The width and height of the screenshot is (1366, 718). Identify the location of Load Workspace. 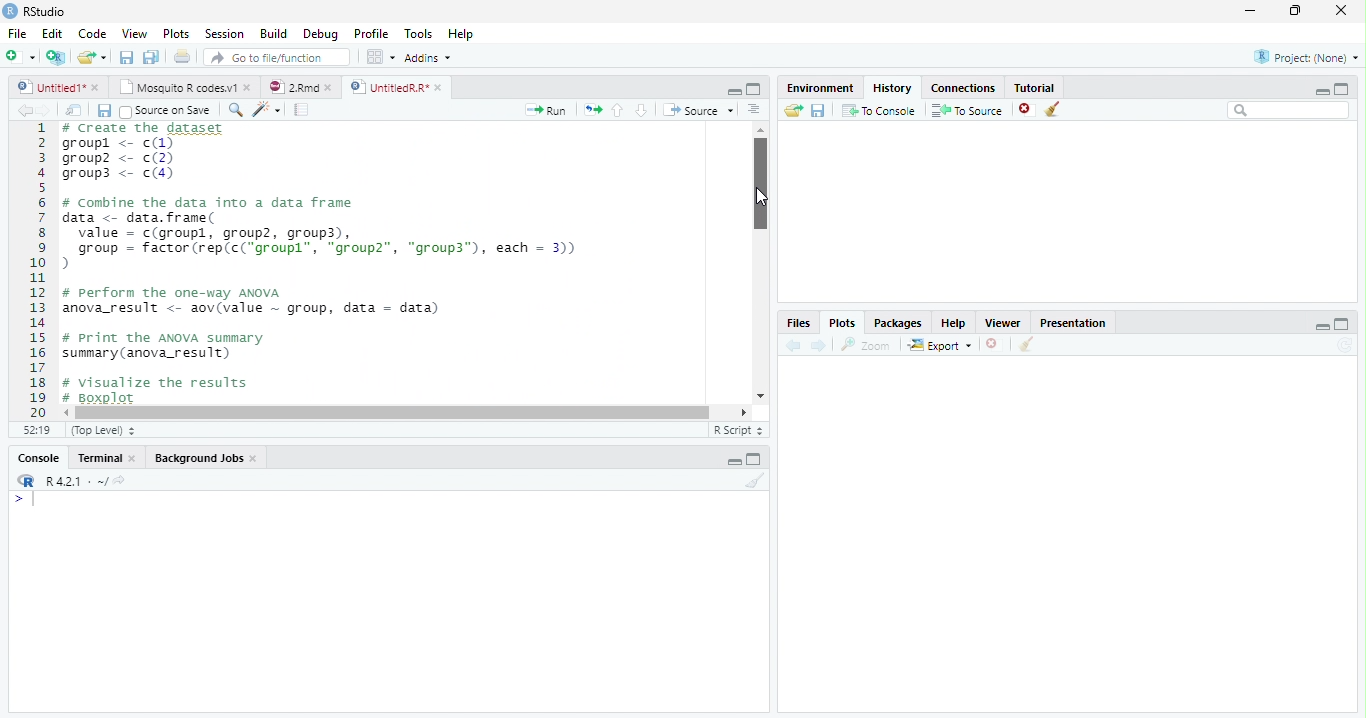
(794, 111).